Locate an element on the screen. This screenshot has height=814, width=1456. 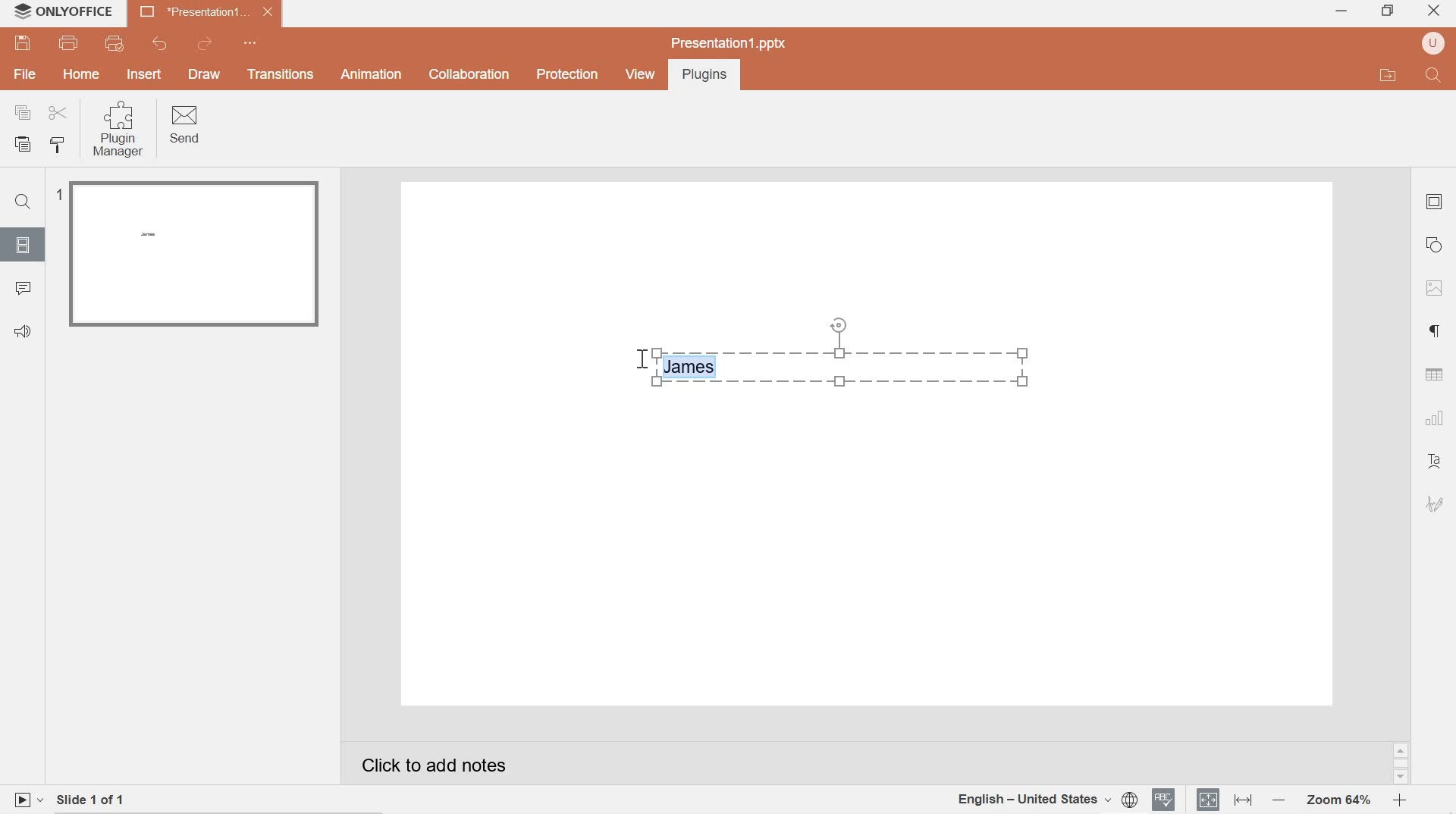
cursor is located at coordinates (645, 363).